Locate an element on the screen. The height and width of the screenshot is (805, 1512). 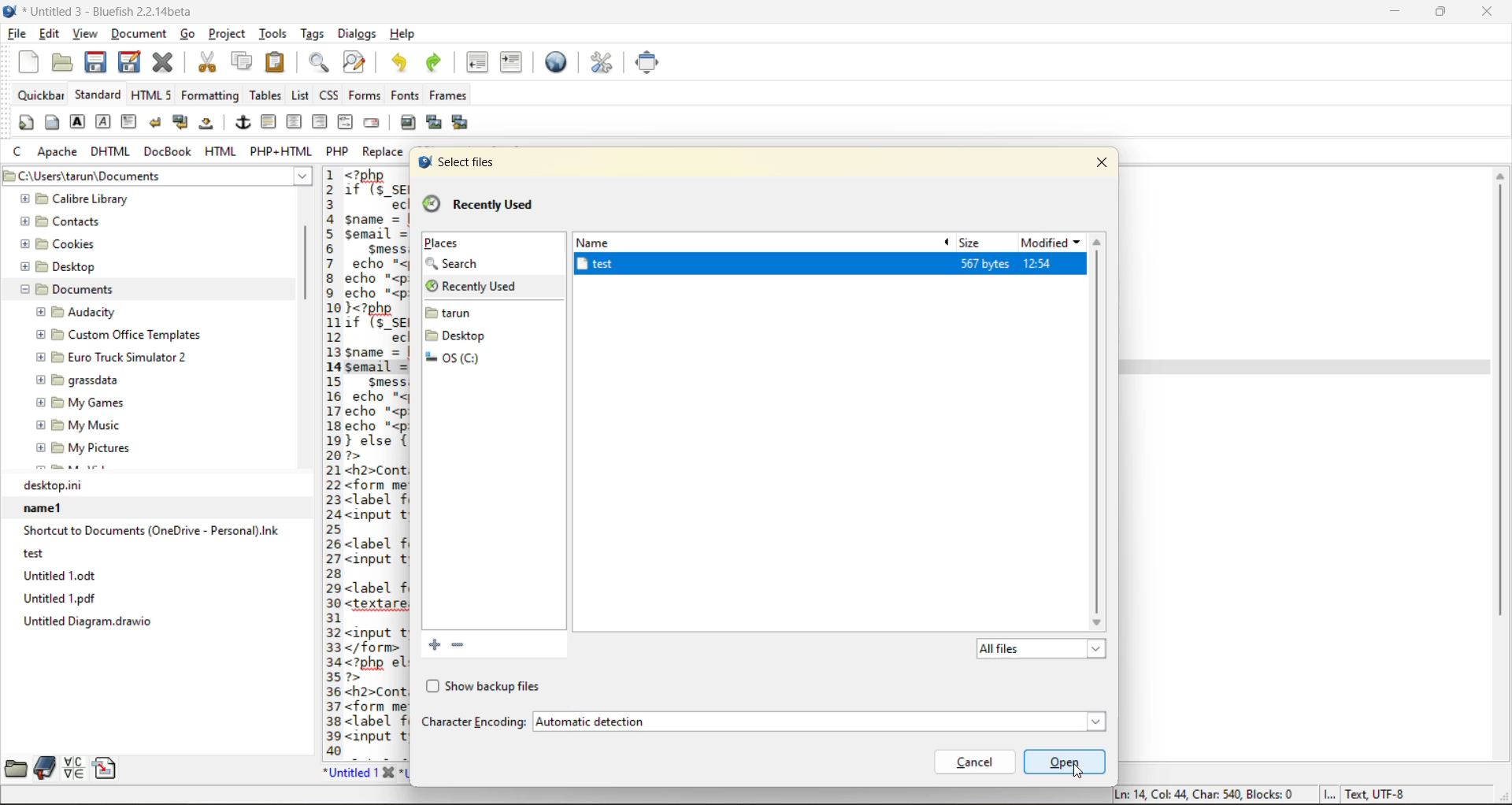
replace is located at coordinates (385, 152).